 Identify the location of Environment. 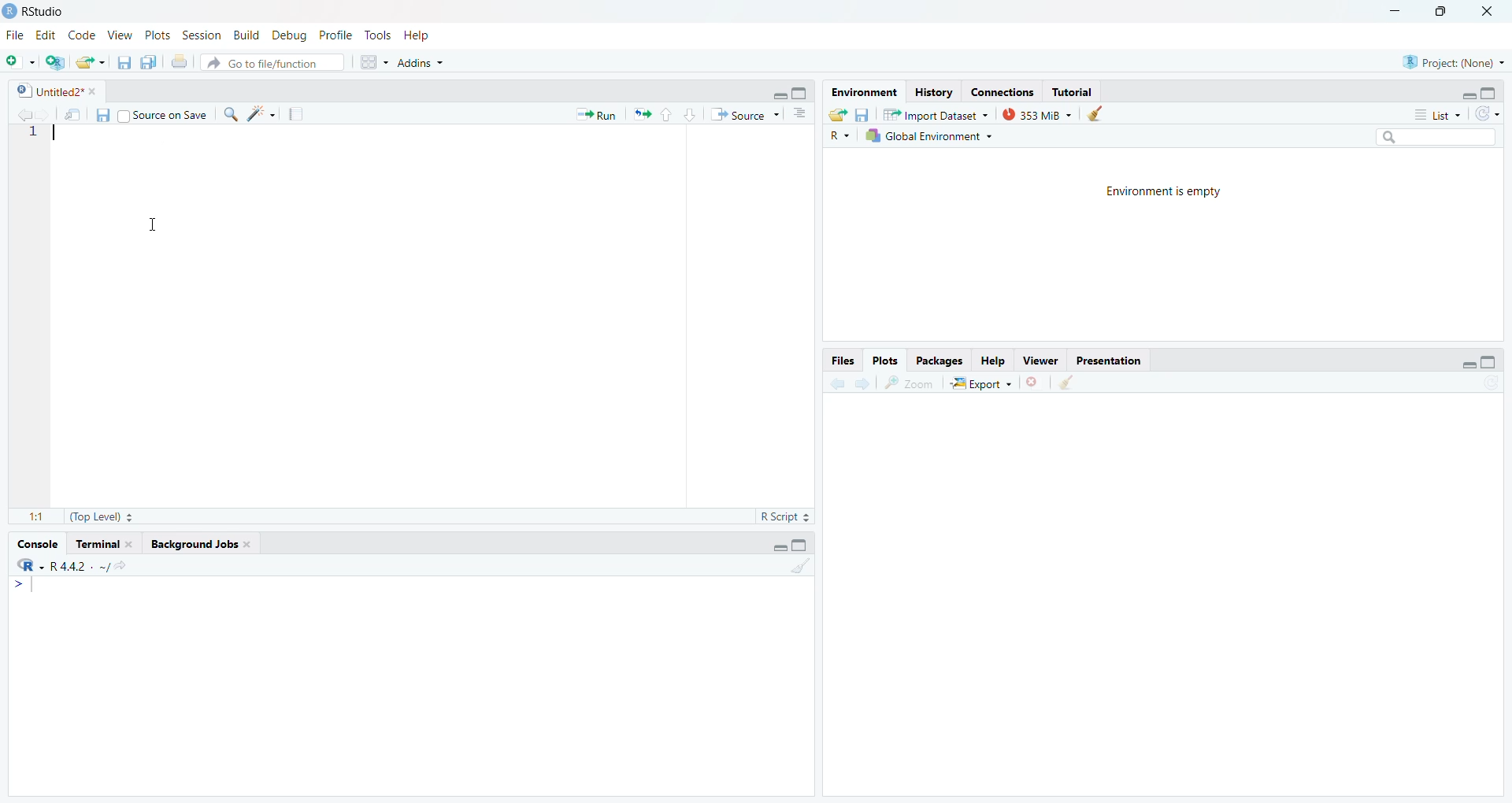
(861, 91).